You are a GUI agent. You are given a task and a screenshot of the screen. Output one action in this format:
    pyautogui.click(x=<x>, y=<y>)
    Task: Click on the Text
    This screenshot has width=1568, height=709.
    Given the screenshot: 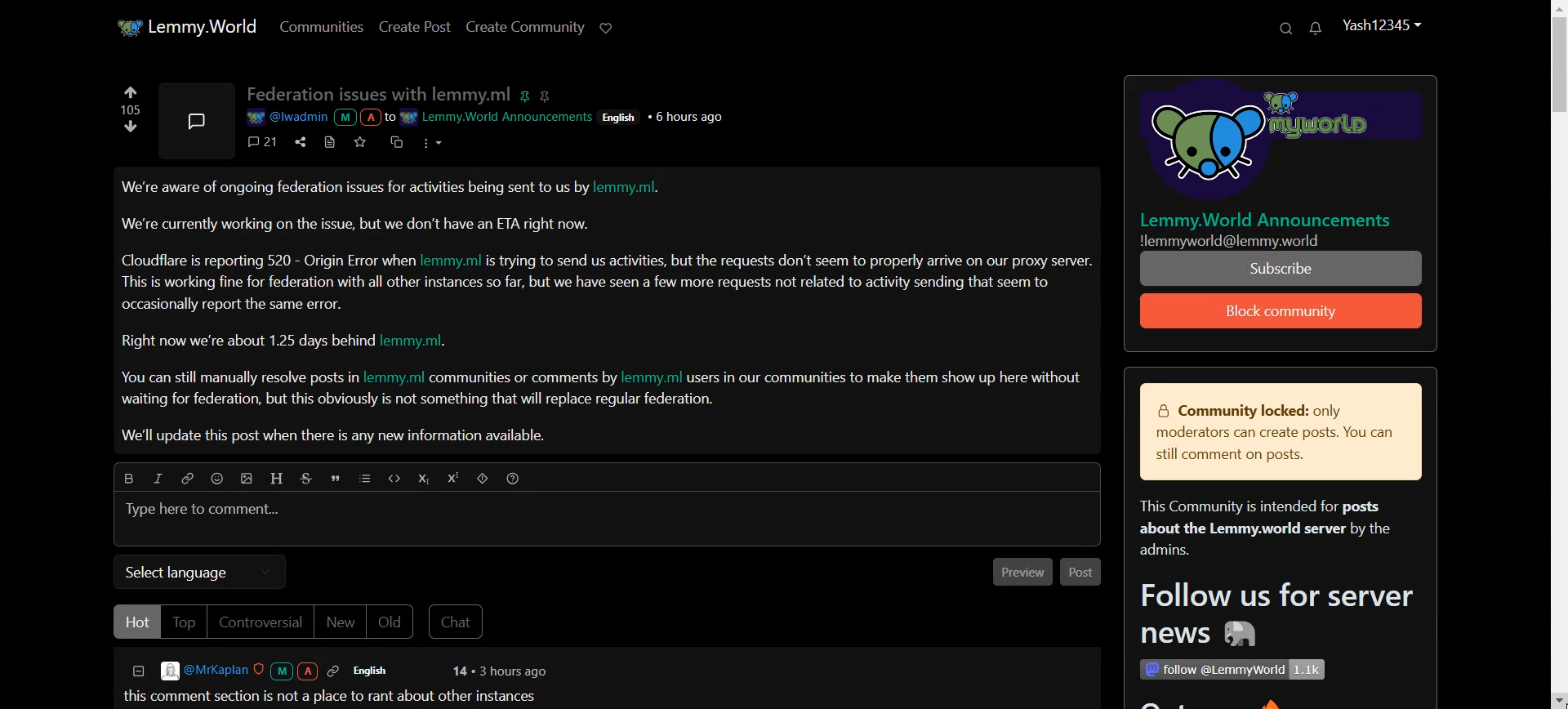 What is the action you would take?
    pyautogui.click(x=131, y=110)
    